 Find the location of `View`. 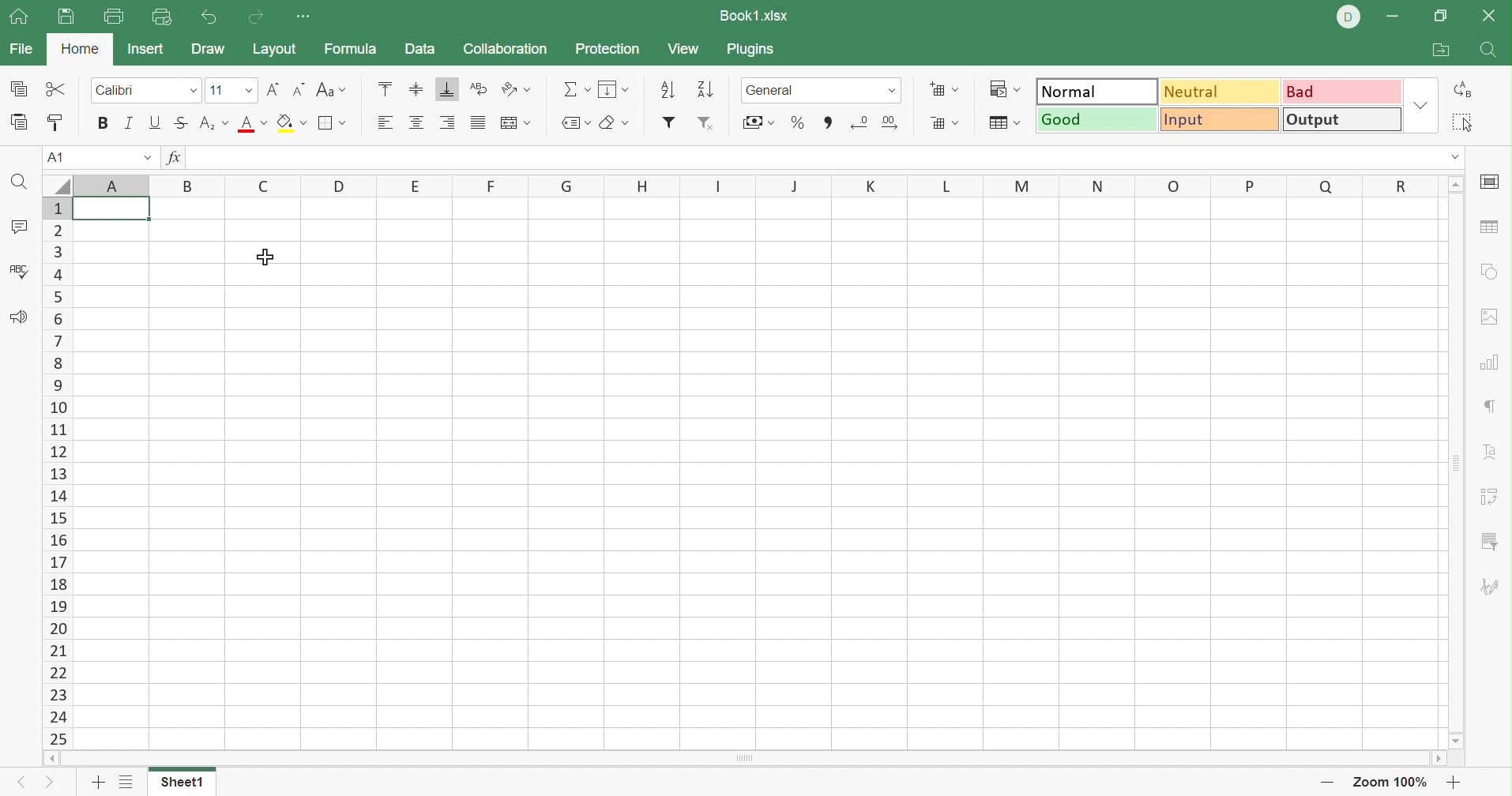

View is located at coordinates (683, 49).